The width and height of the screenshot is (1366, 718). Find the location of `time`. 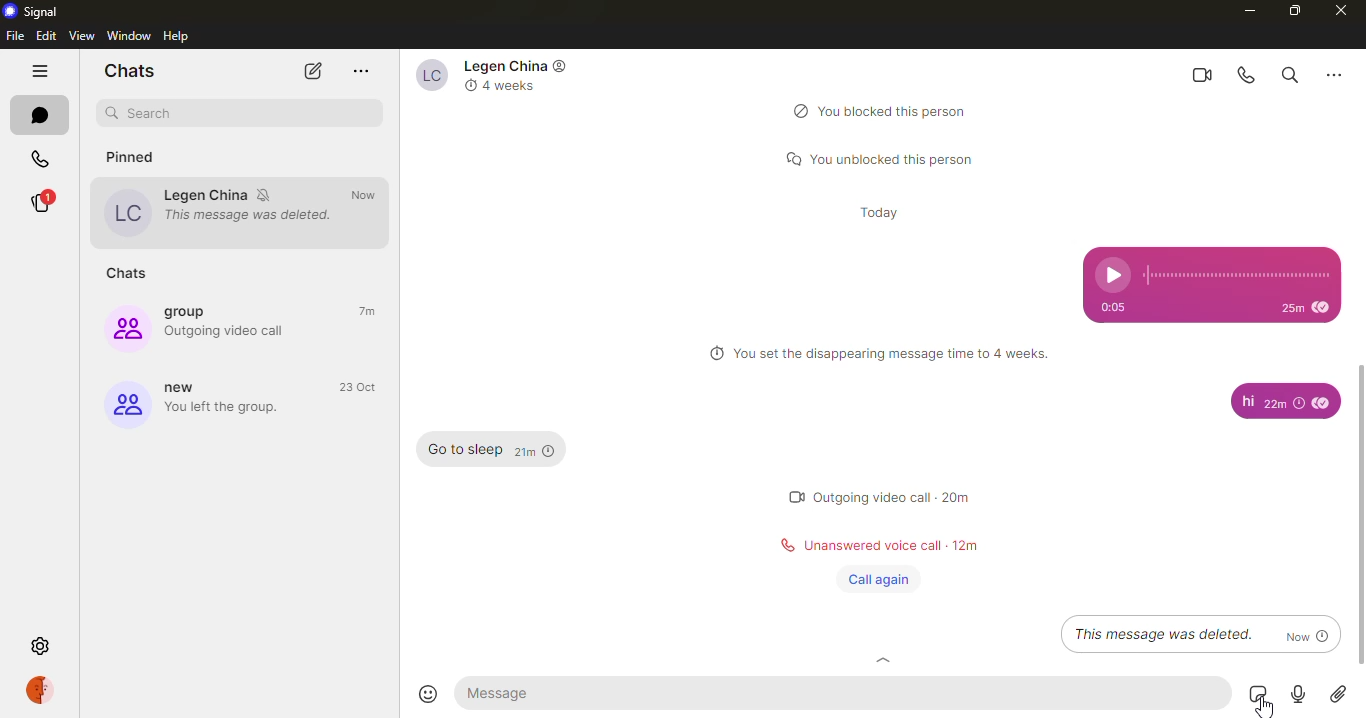

time is located at coordinates (1305, 306).